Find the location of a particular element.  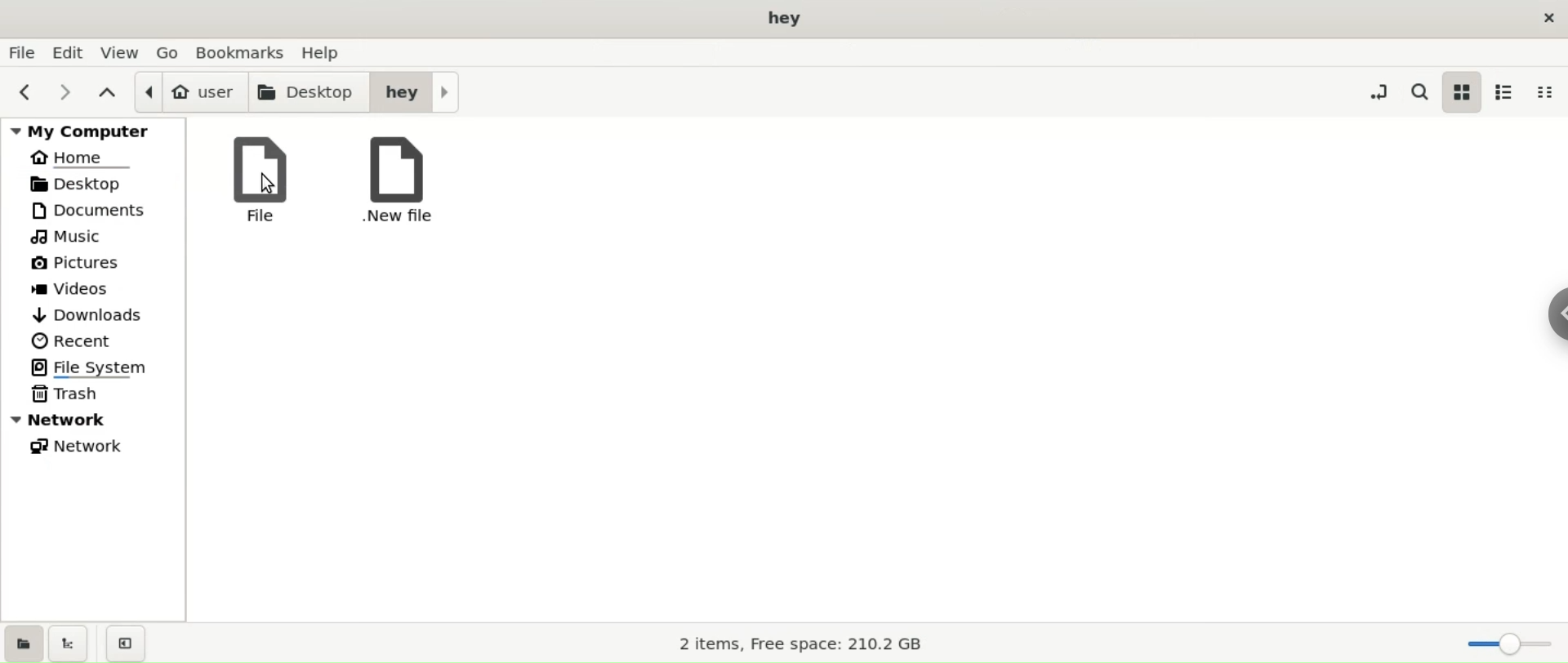

search is located at coordinates (1418, 91).